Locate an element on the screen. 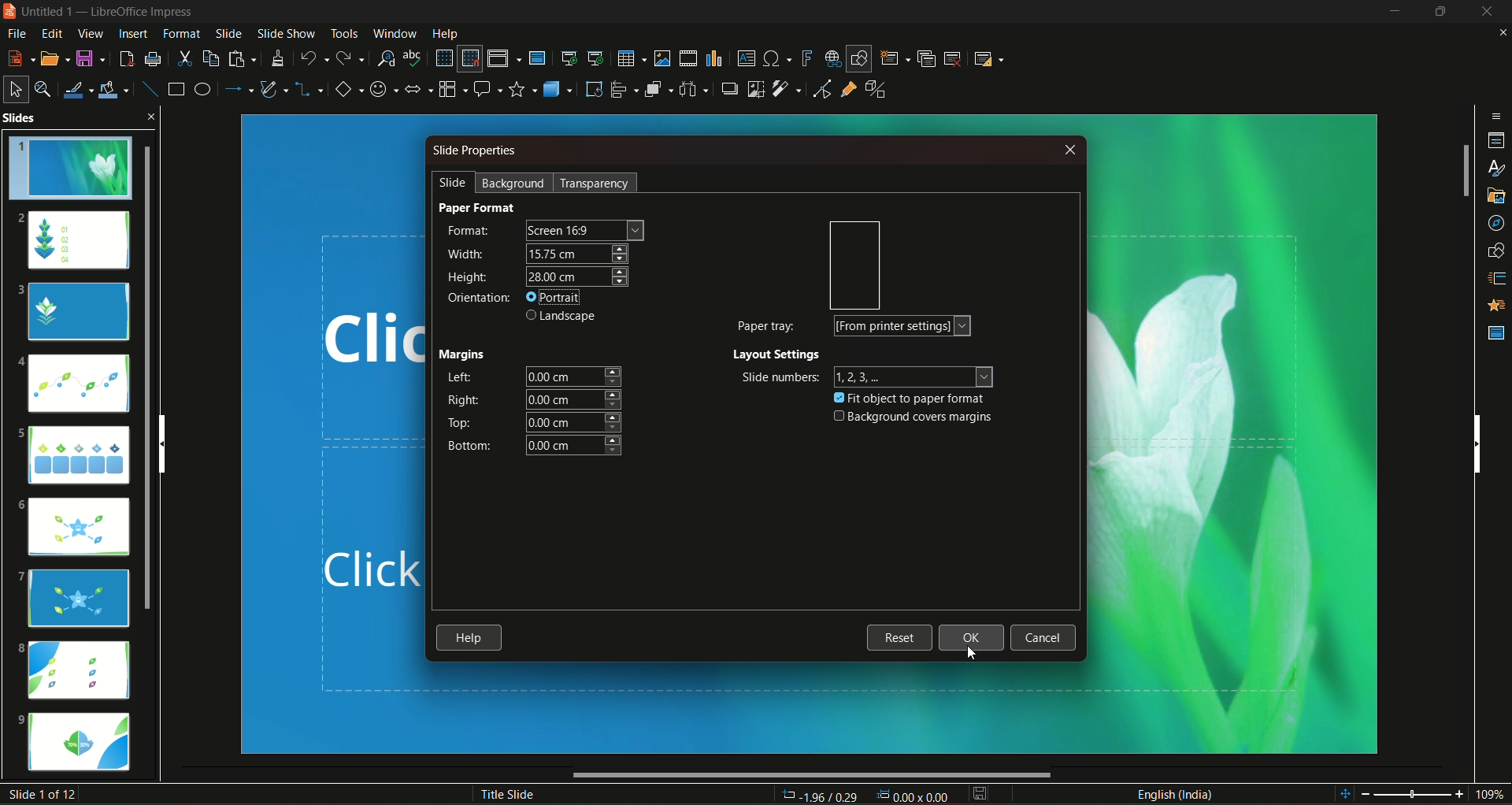  right margin is located at coordinates (574, 399).